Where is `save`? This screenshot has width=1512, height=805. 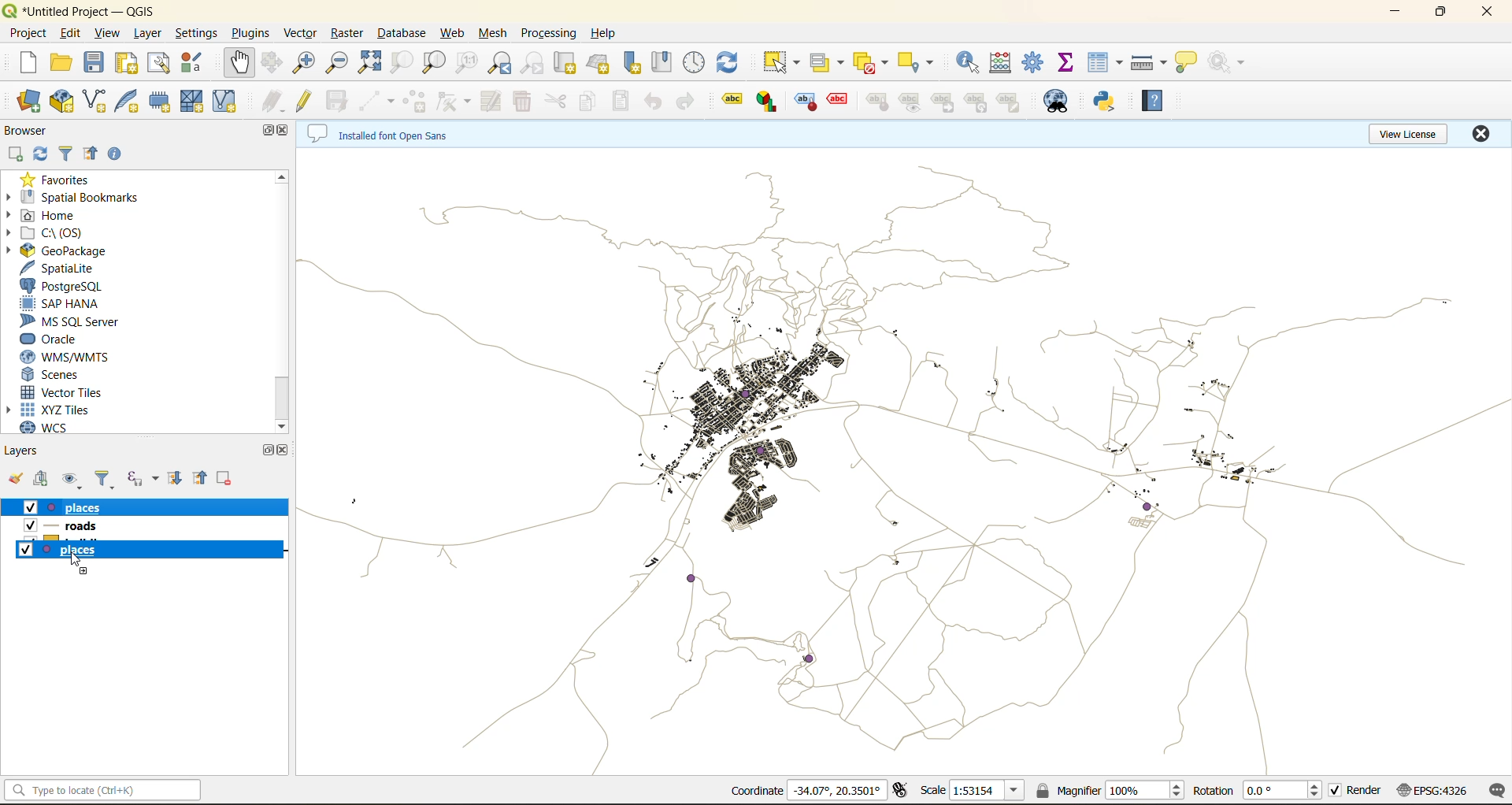 save is located at coordinates (97, 65).